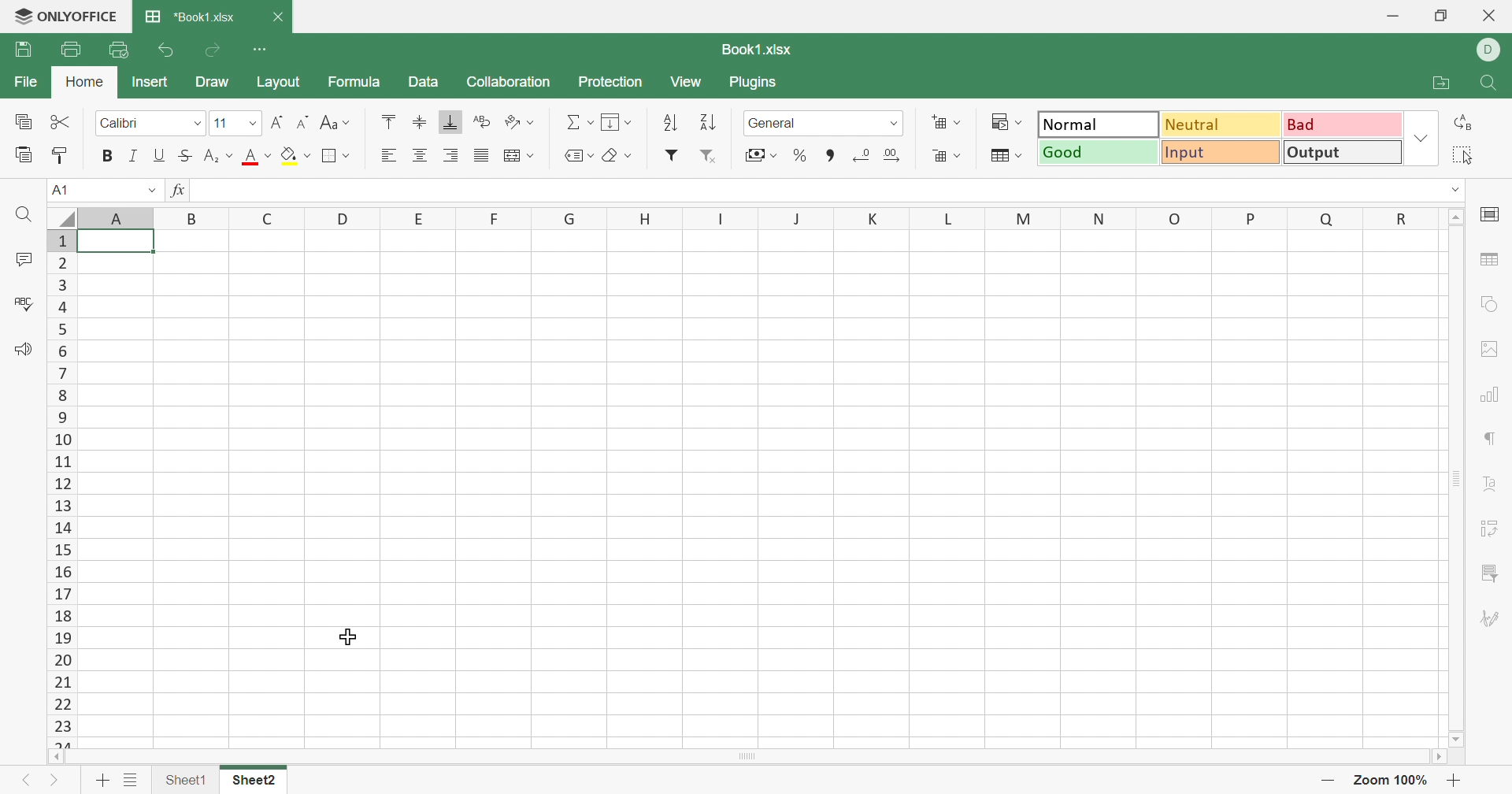 The image size is (1512, 794). I want to click on +, so click(1453, 781).